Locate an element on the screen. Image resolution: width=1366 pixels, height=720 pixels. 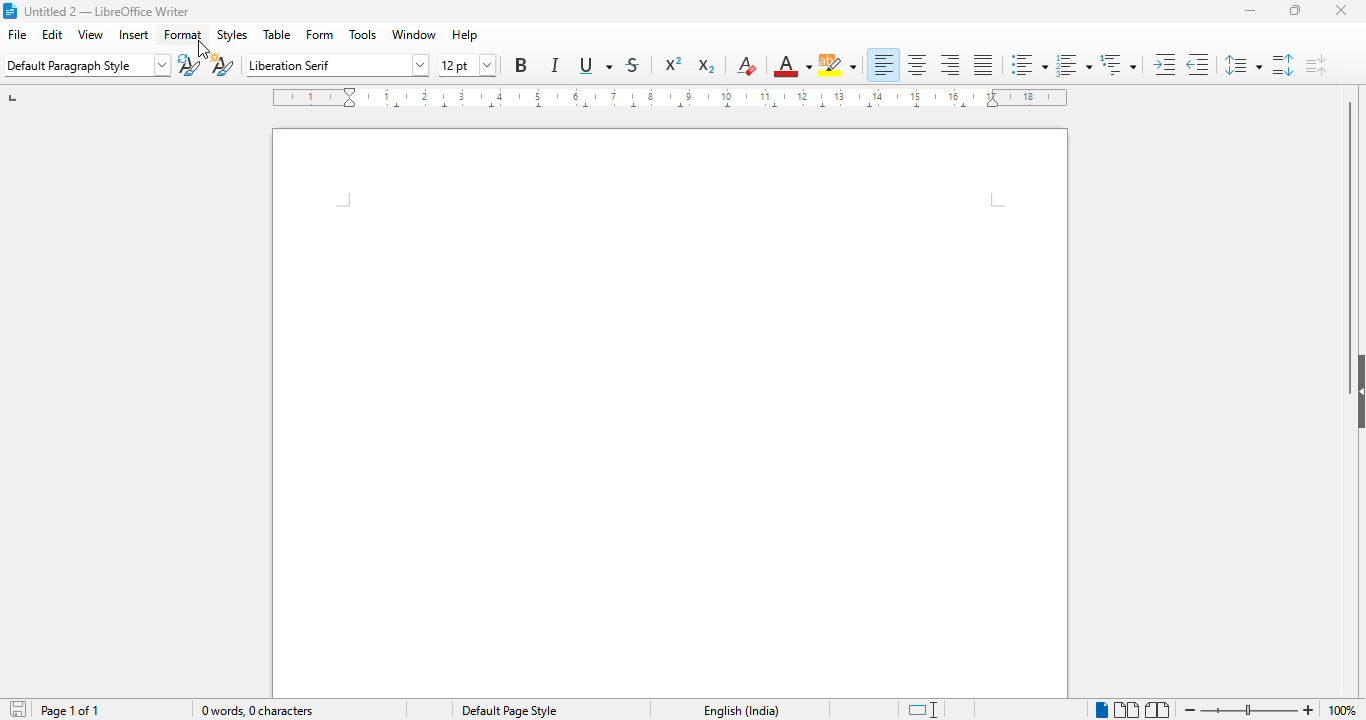
text language is located at coordinates (741, 710).